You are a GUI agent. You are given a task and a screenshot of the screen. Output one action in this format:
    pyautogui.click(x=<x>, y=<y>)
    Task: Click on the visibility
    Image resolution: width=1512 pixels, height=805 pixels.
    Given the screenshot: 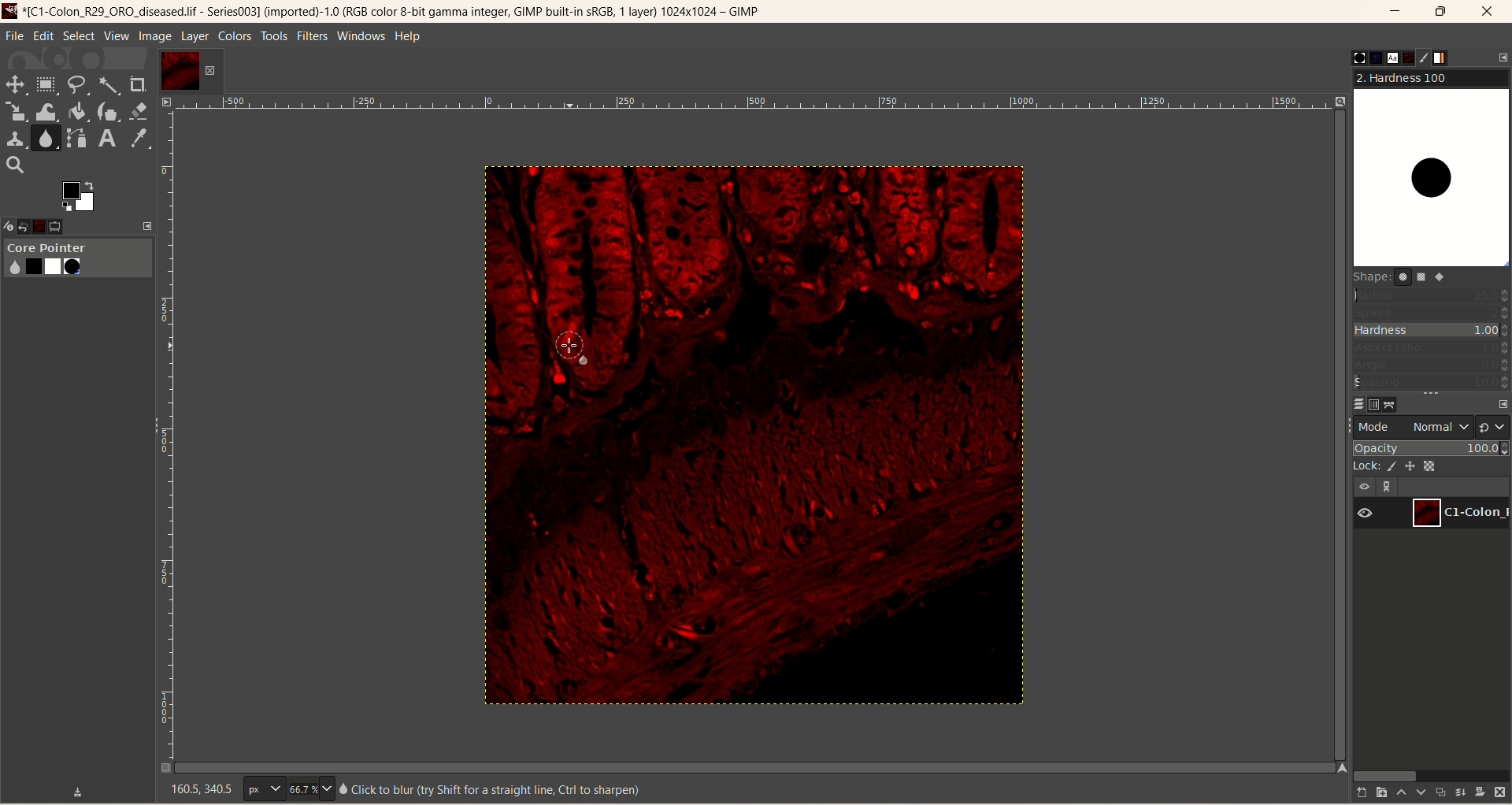 What is the action you would take?
    pyautogui.click(x=1370, y=513)
    